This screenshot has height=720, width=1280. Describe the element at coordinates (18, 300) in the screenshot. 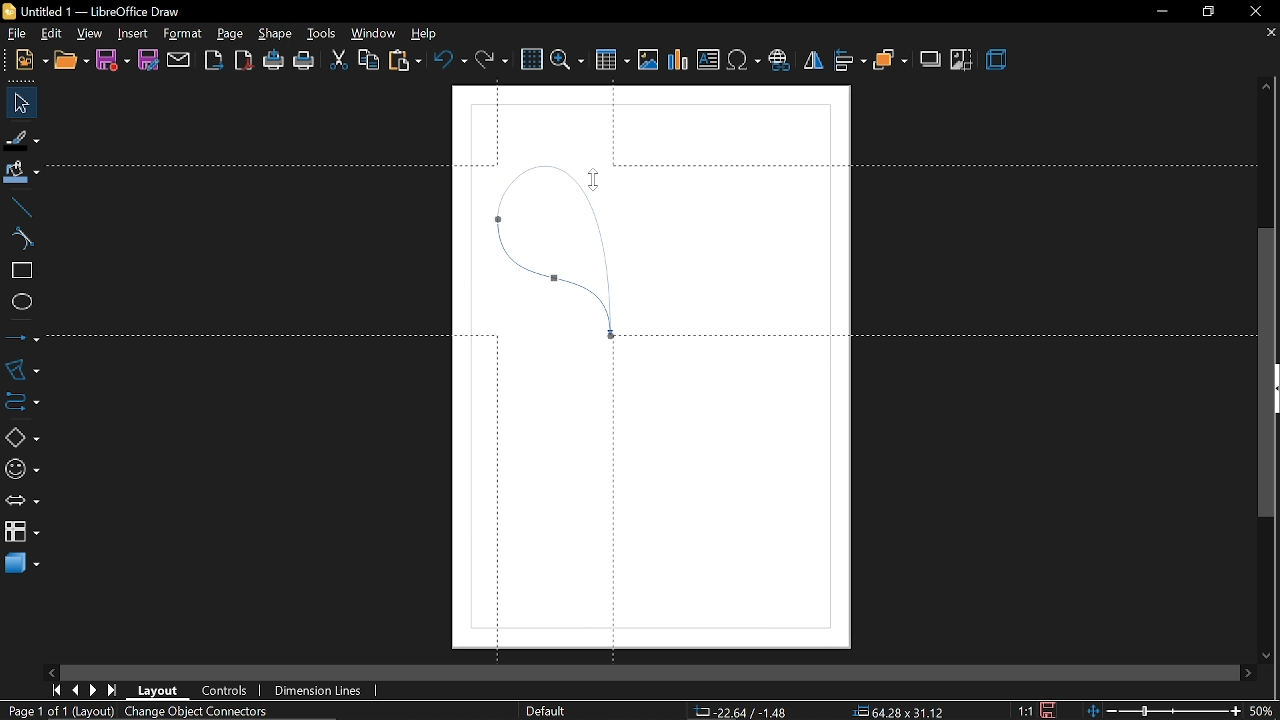

I see `ellipse` at that location.